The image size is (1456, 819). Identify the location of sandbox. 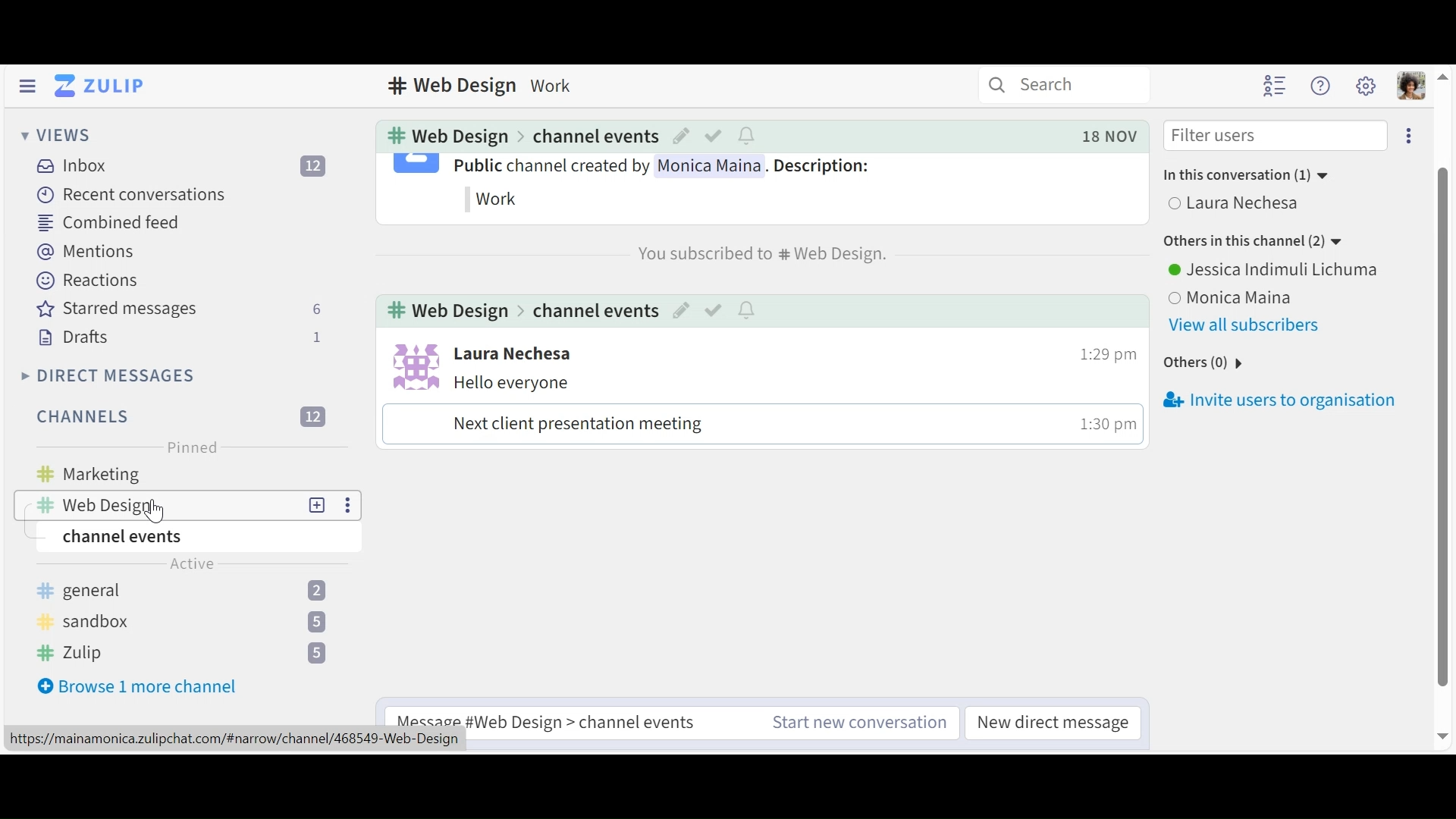
(197, 622).